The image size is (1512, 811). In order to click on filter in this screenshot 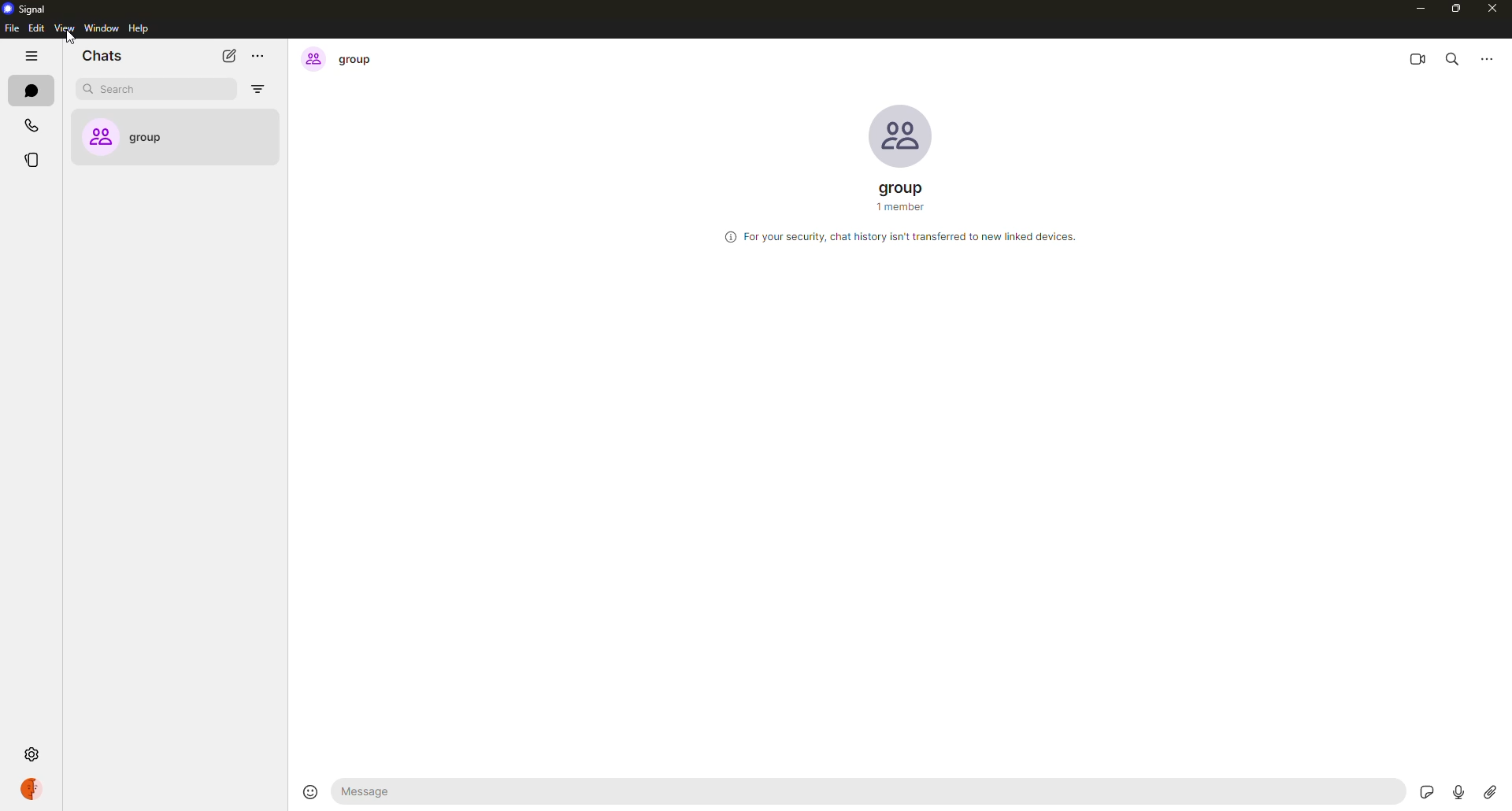, I will do `click(257, 89)`.